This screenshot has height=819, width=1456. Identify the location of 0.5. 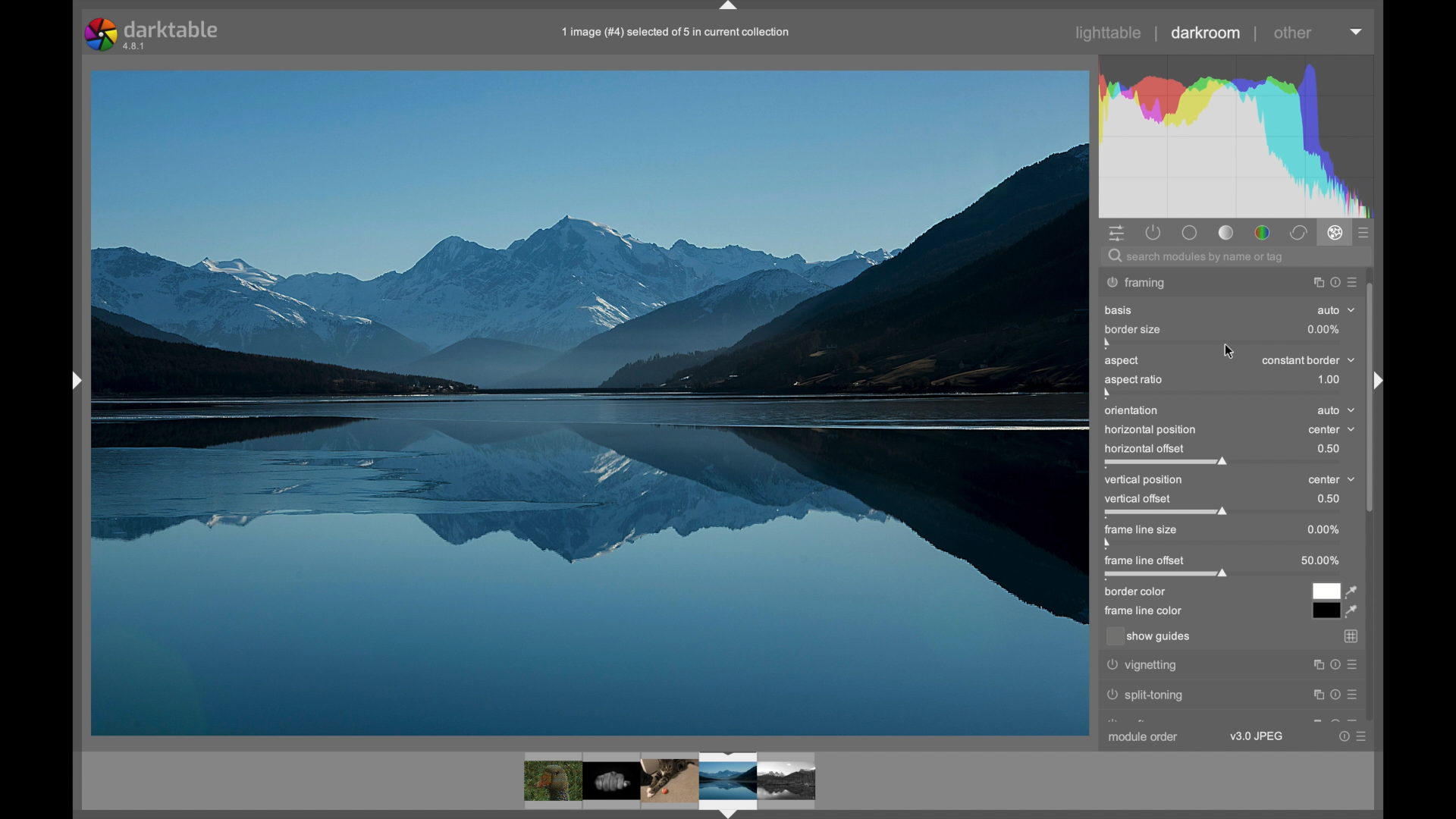
(1329, 449).